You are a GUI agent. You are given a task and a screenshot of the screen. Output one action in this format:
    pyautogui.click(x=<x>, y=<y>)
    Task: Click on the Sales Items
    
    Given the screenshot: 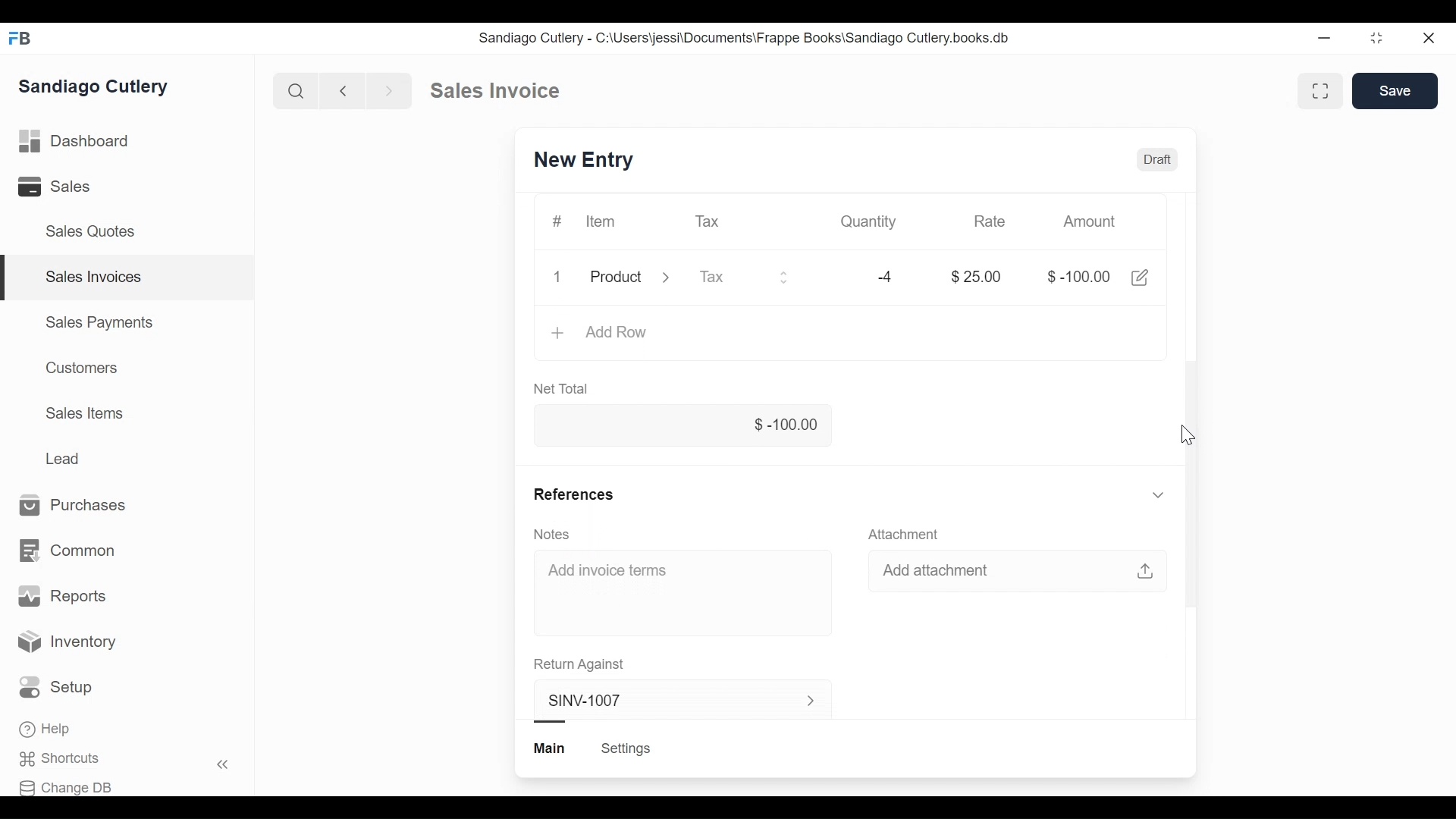 What is the action you would take?
    pyautogui.click(x=84, y=413)
    